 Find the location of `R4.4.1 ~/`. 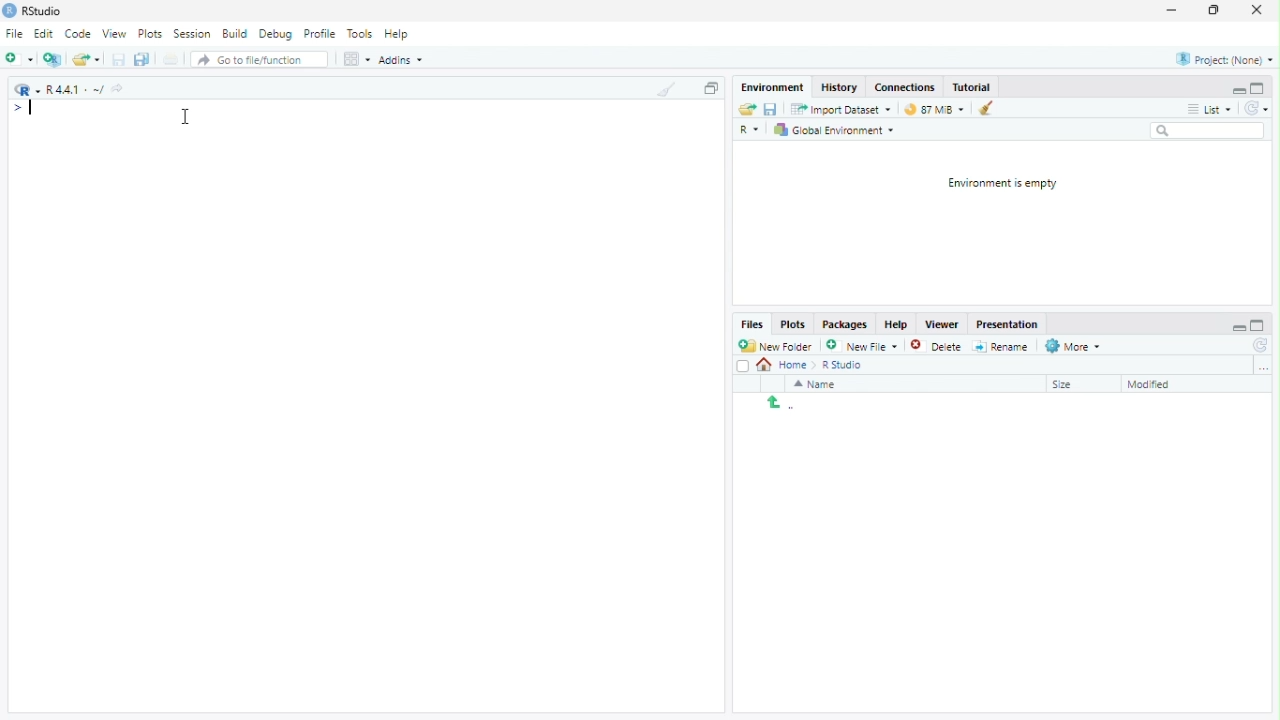

R4.4.1 ~/ is located at coordinates (75, 89).